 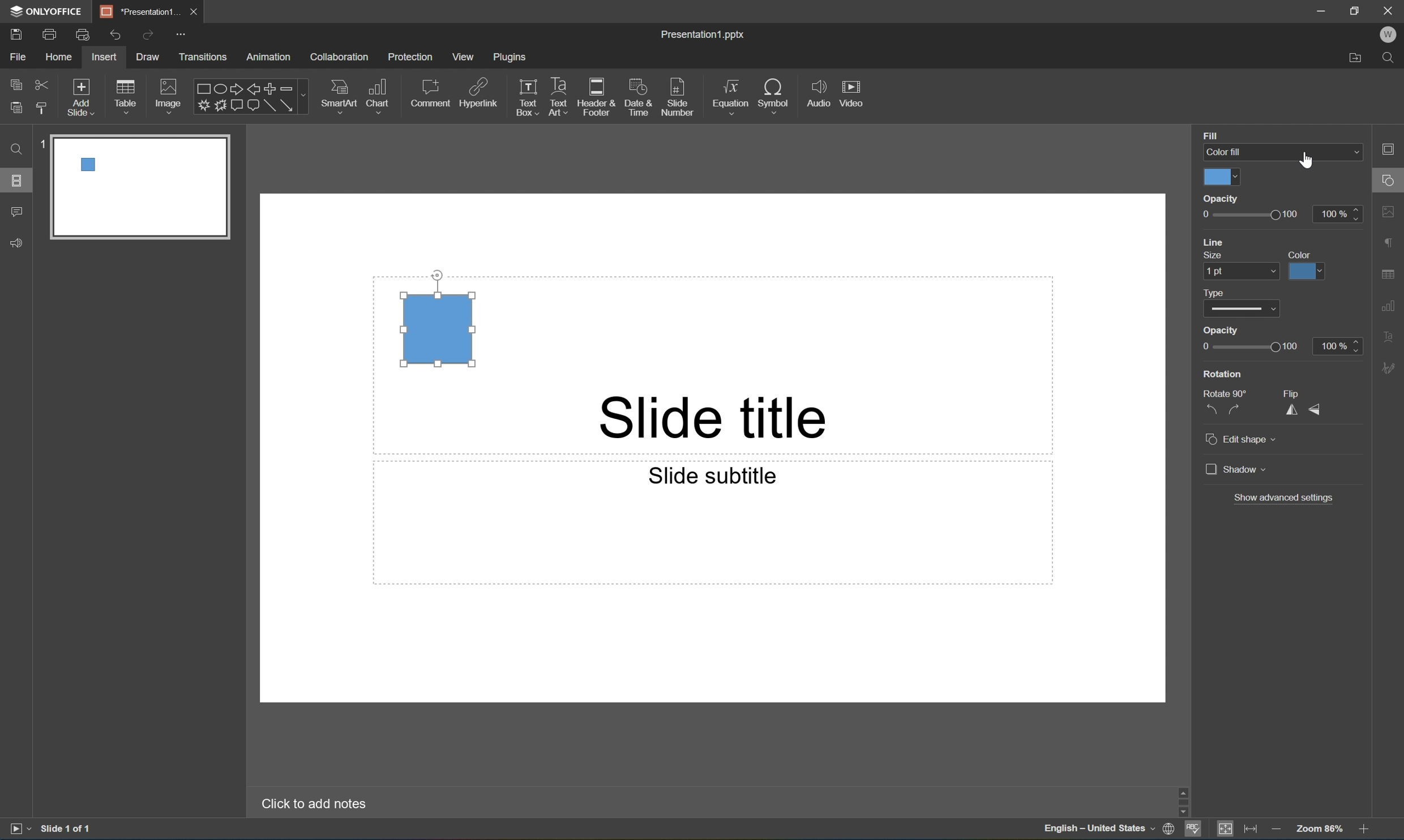 What do you see at coordinates (1393, 148) in the screenshot?
I see `Slide settings` at bounding box center [1393, 148].